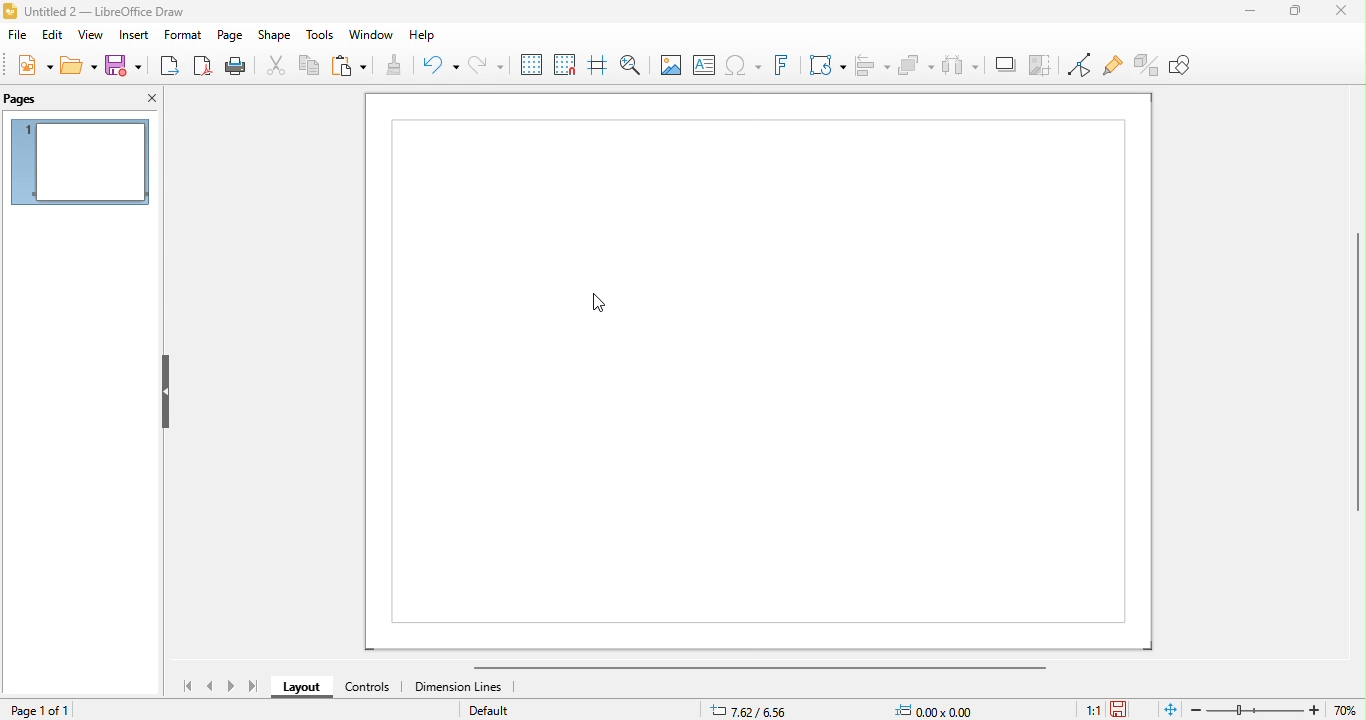 The height and width of the screenshot is (720, 1366). What do you see at coordinates (91, 35) in the screenshot?
I see `view` at bounding box center [91, 35].